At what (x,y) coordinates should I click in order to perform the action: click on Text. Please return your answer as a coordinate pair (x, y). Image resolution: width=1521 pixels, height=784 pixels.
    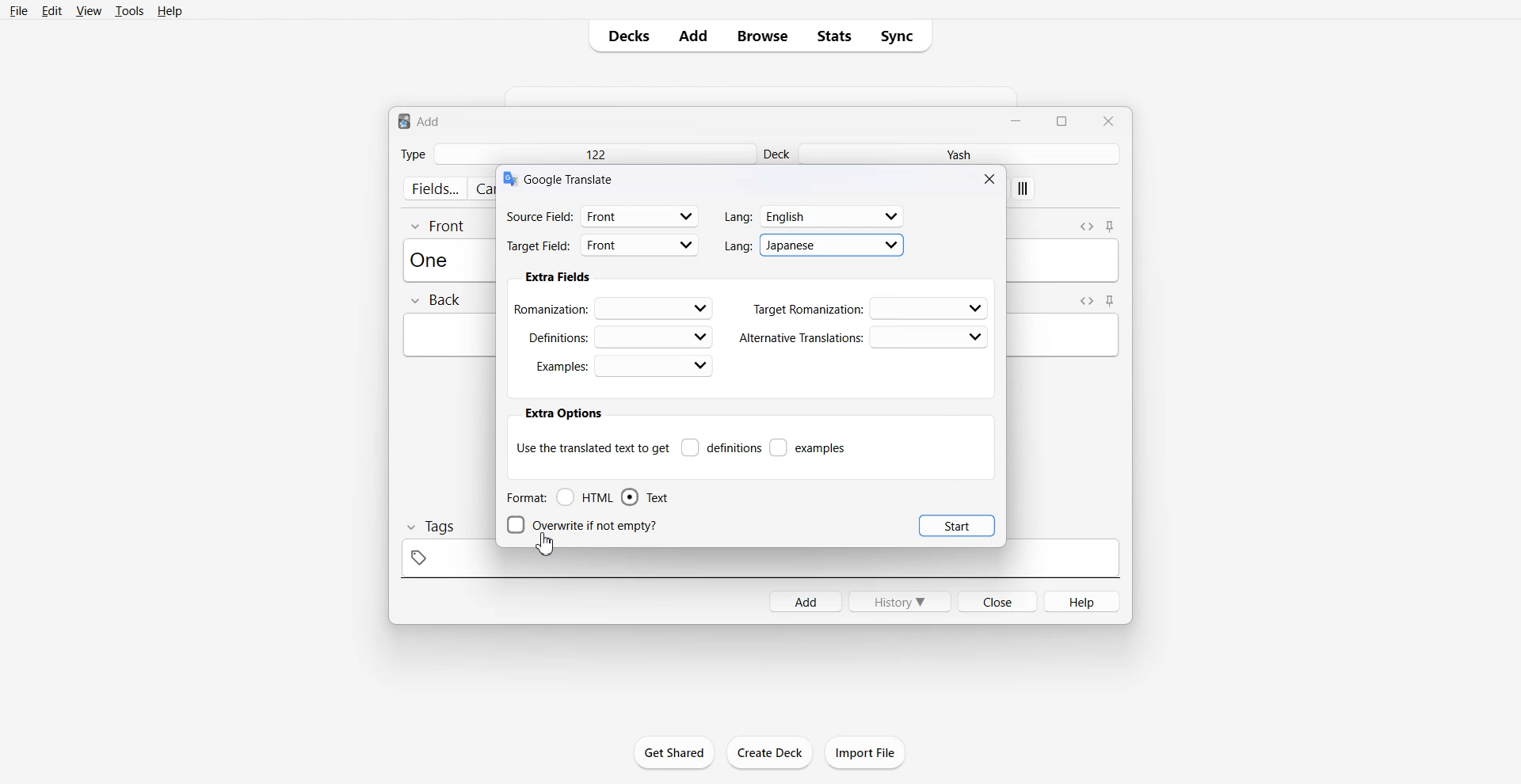
    Looking at the image, I should click on (645, 497).